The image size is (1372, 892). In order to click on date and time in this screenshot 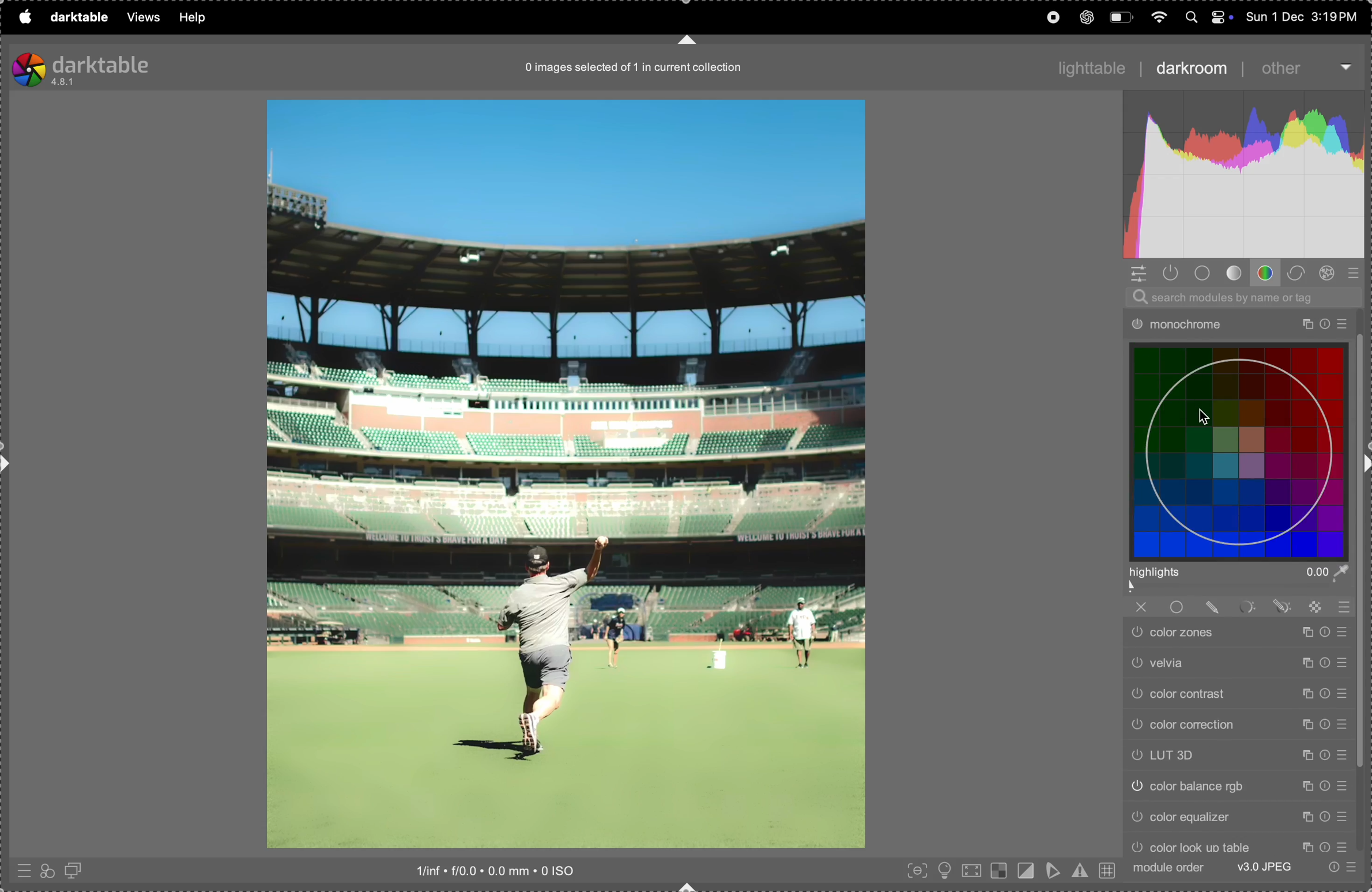, I will do `click(1305, 17)`.